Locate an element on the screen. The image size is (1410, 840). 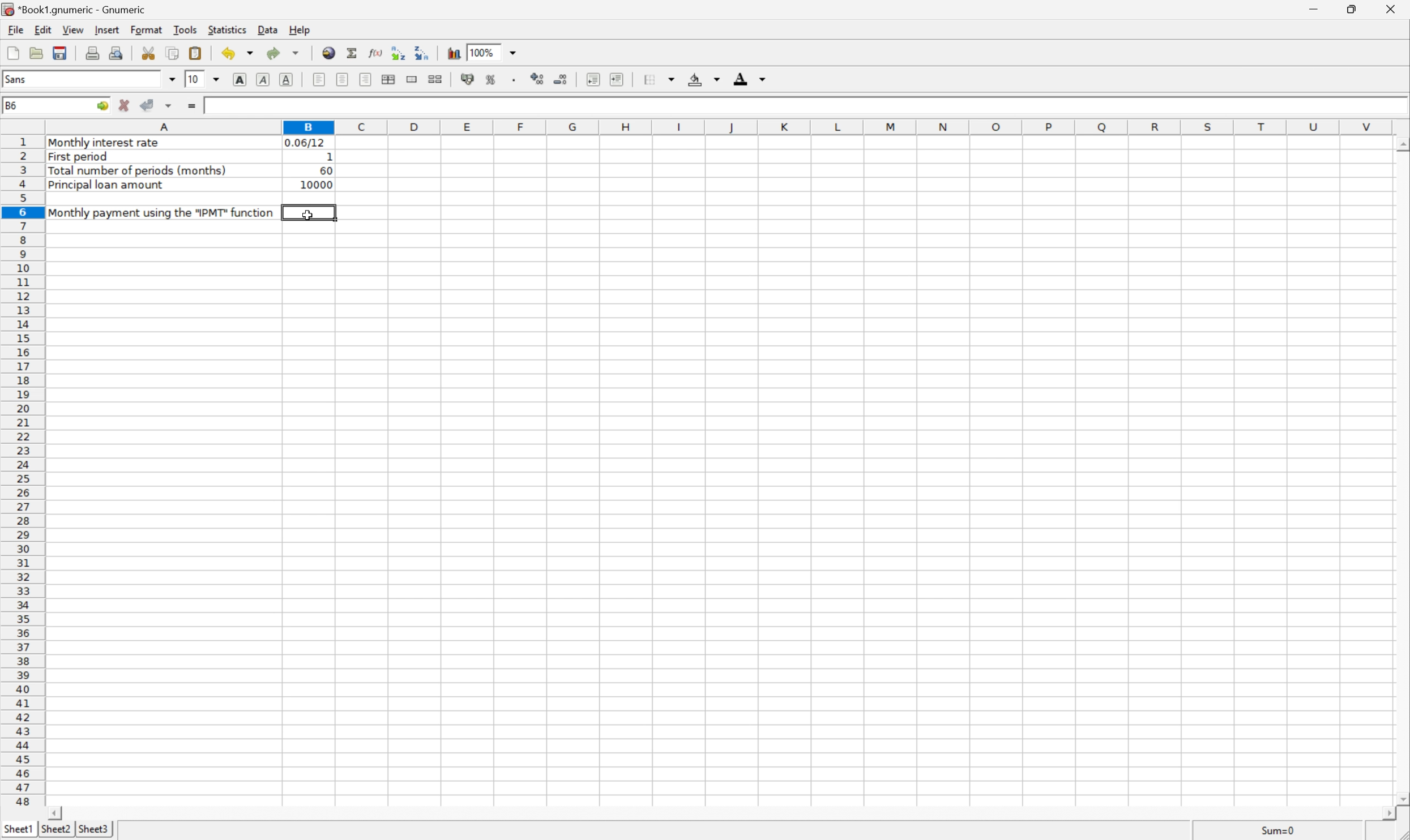
Format is located at coordinates (147, 30).